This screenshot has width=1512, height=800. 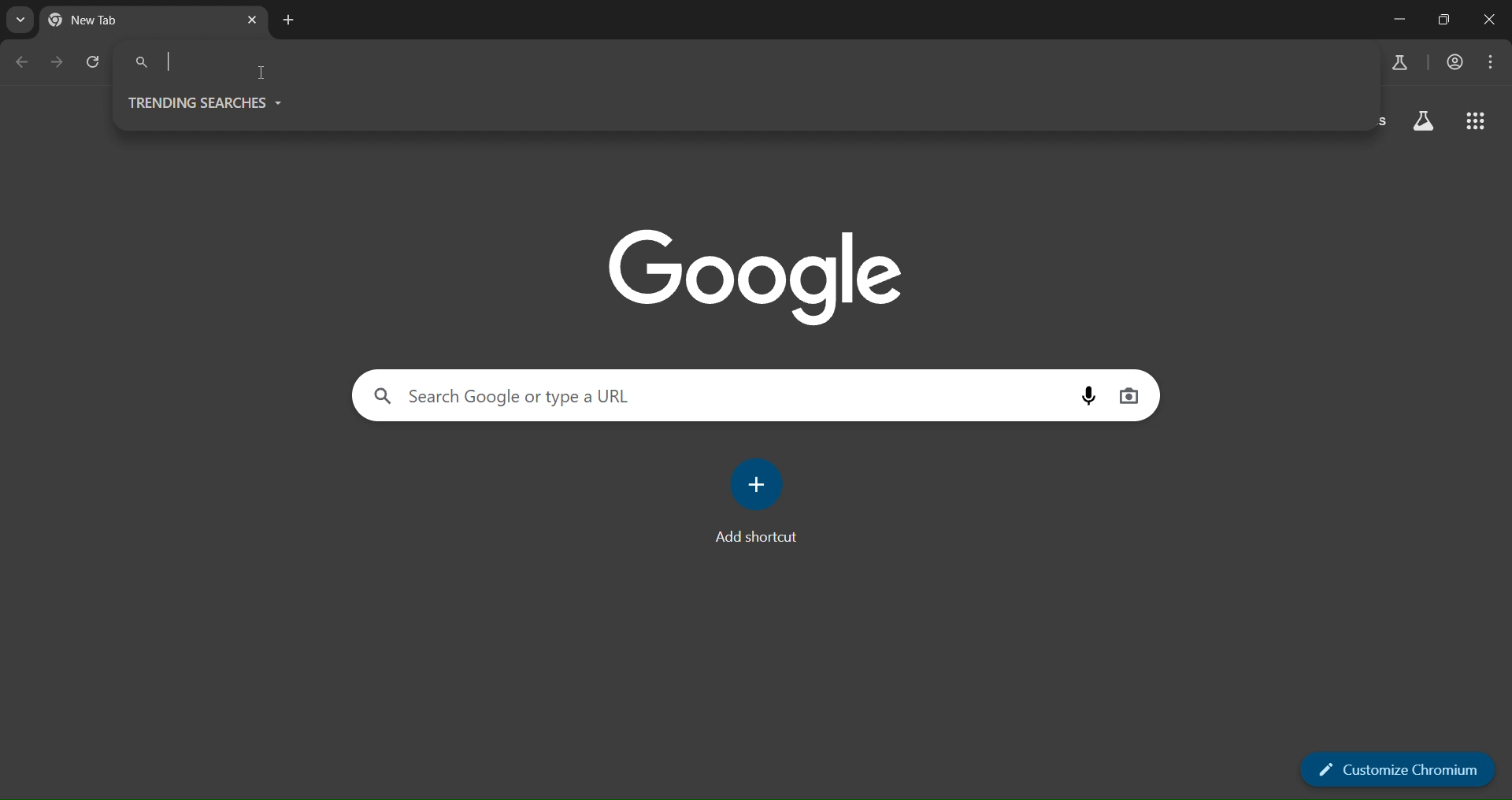 I want to click on new tab, so click(x=289, y=18).